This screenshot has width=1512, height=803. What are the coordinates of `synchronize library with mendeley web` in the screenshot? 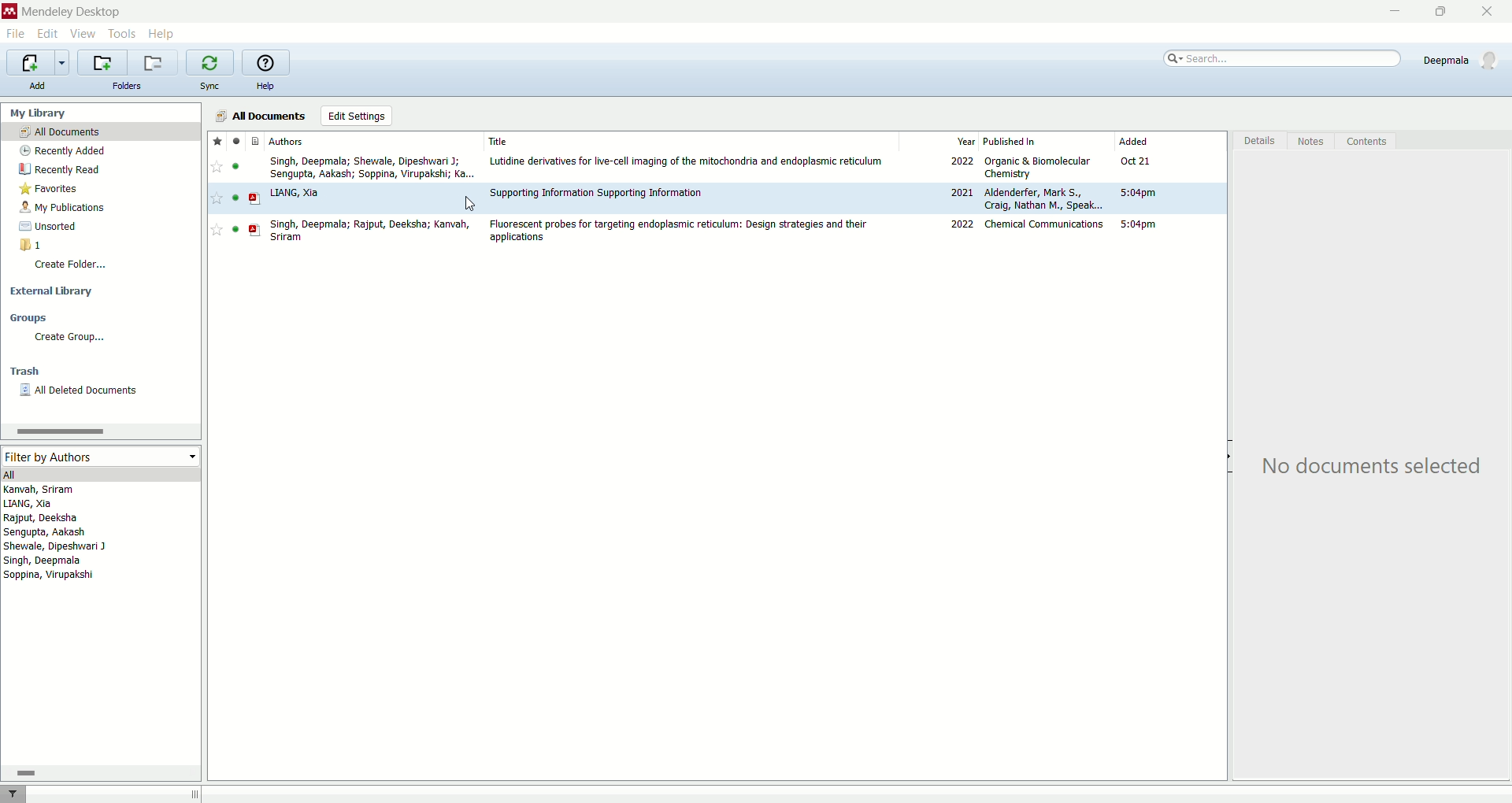 It's located at (209, 62).